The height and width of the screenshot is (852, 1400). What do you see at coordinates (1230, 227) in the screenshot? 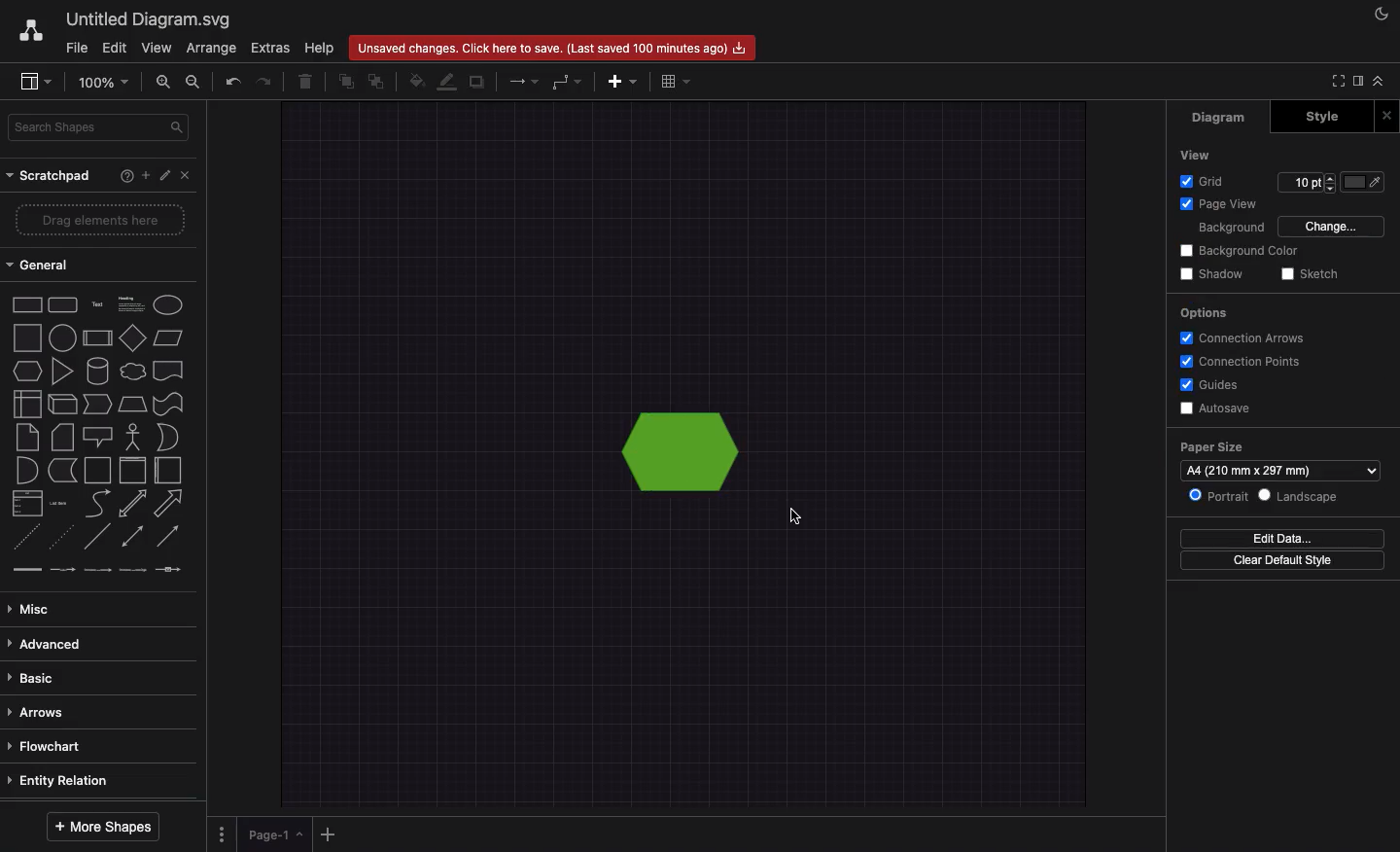
I see `Background` at bounding box center [1230, 227].